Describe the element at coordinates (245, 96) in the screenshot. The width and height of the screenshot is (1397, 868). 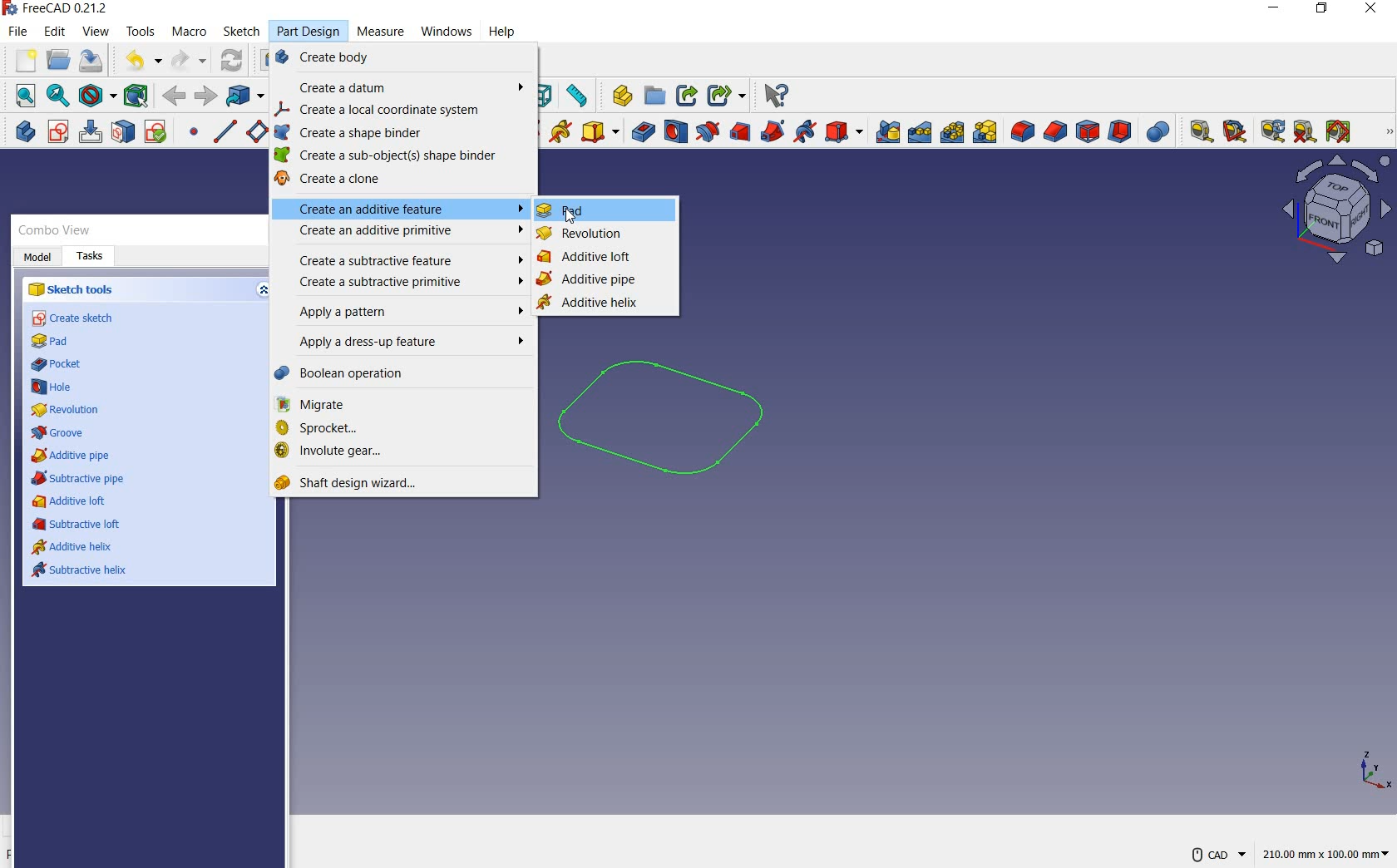
I see `go to linked object` at that location.